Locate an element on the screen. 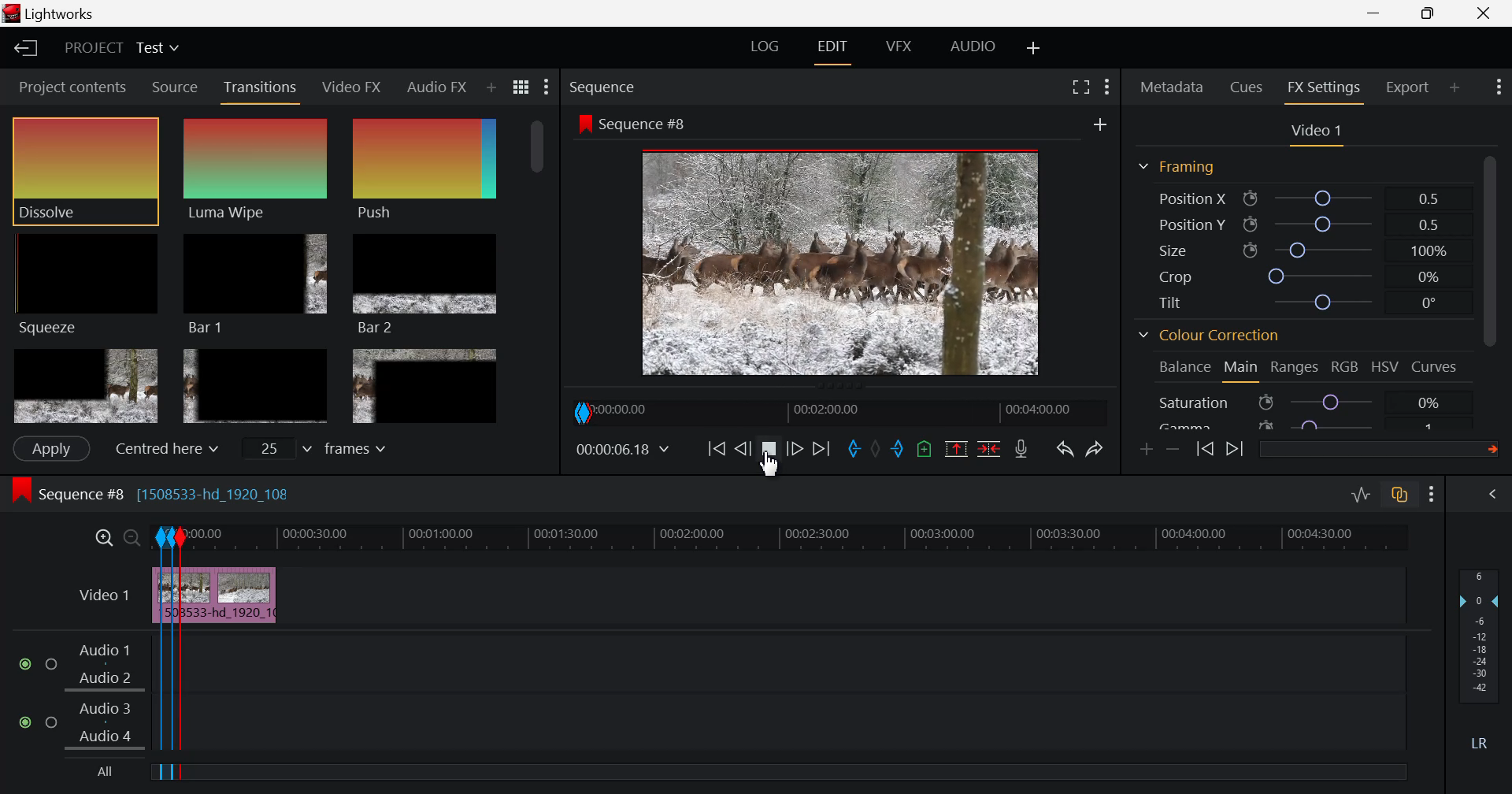 The image size is (1512, 794). VFX is located at coordinates (899, 46).